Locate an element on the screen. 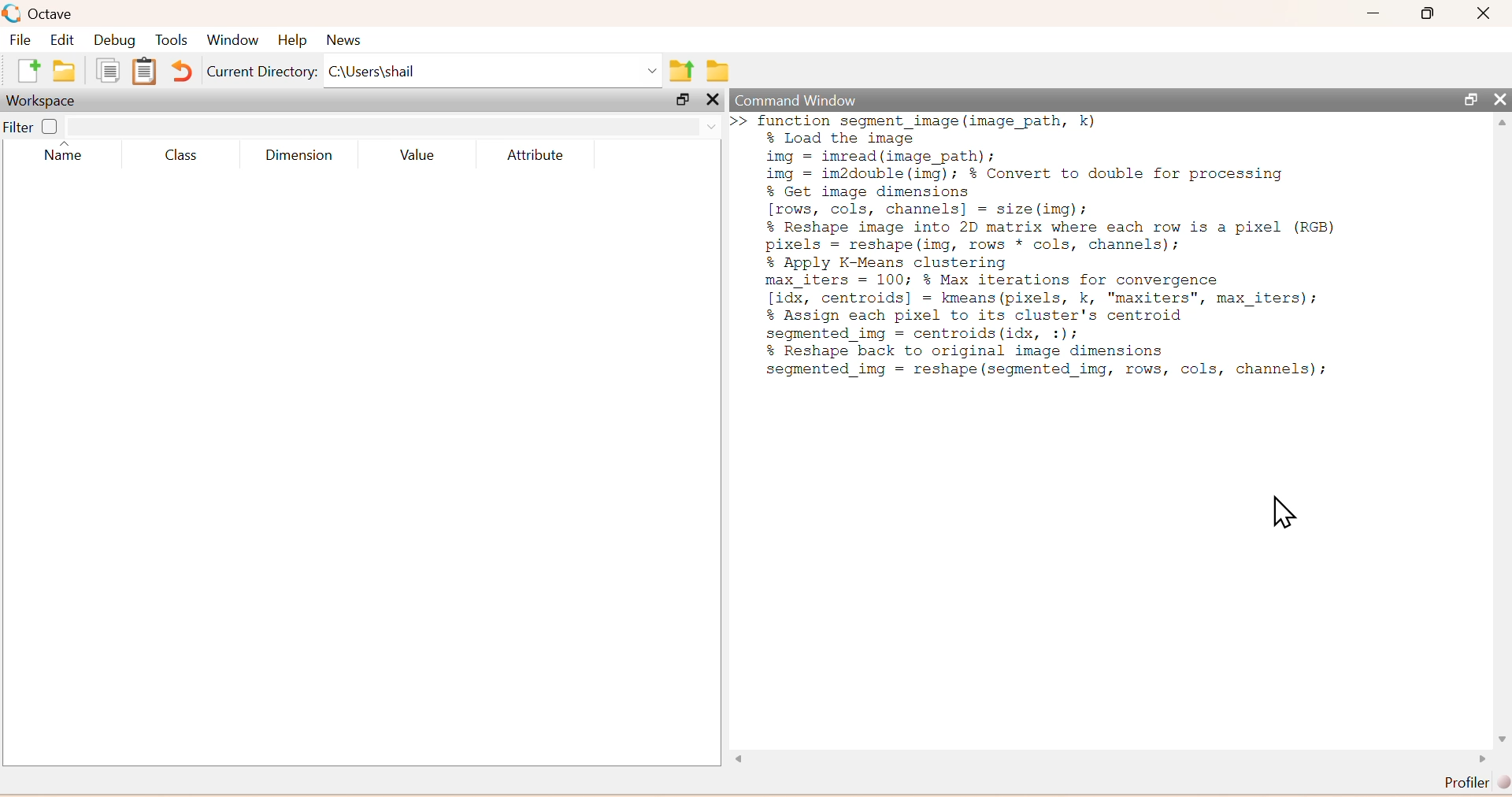 The width and height of the screenshot is (1512, 797). scroll down is located at coordinates (1498, 737).